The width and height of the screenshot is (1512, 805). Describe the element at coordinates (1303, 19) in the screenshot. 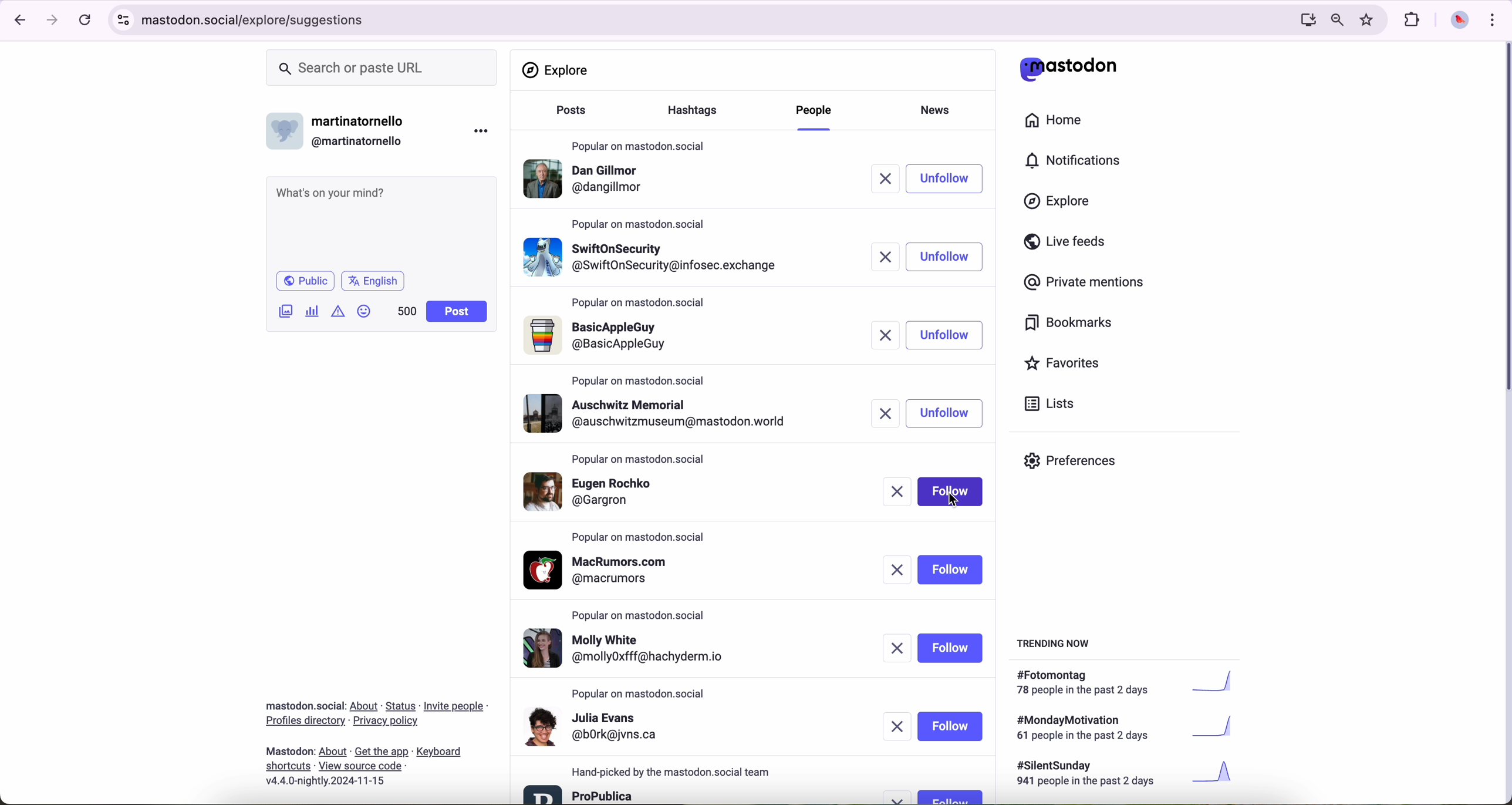

I see `computer` at that location.